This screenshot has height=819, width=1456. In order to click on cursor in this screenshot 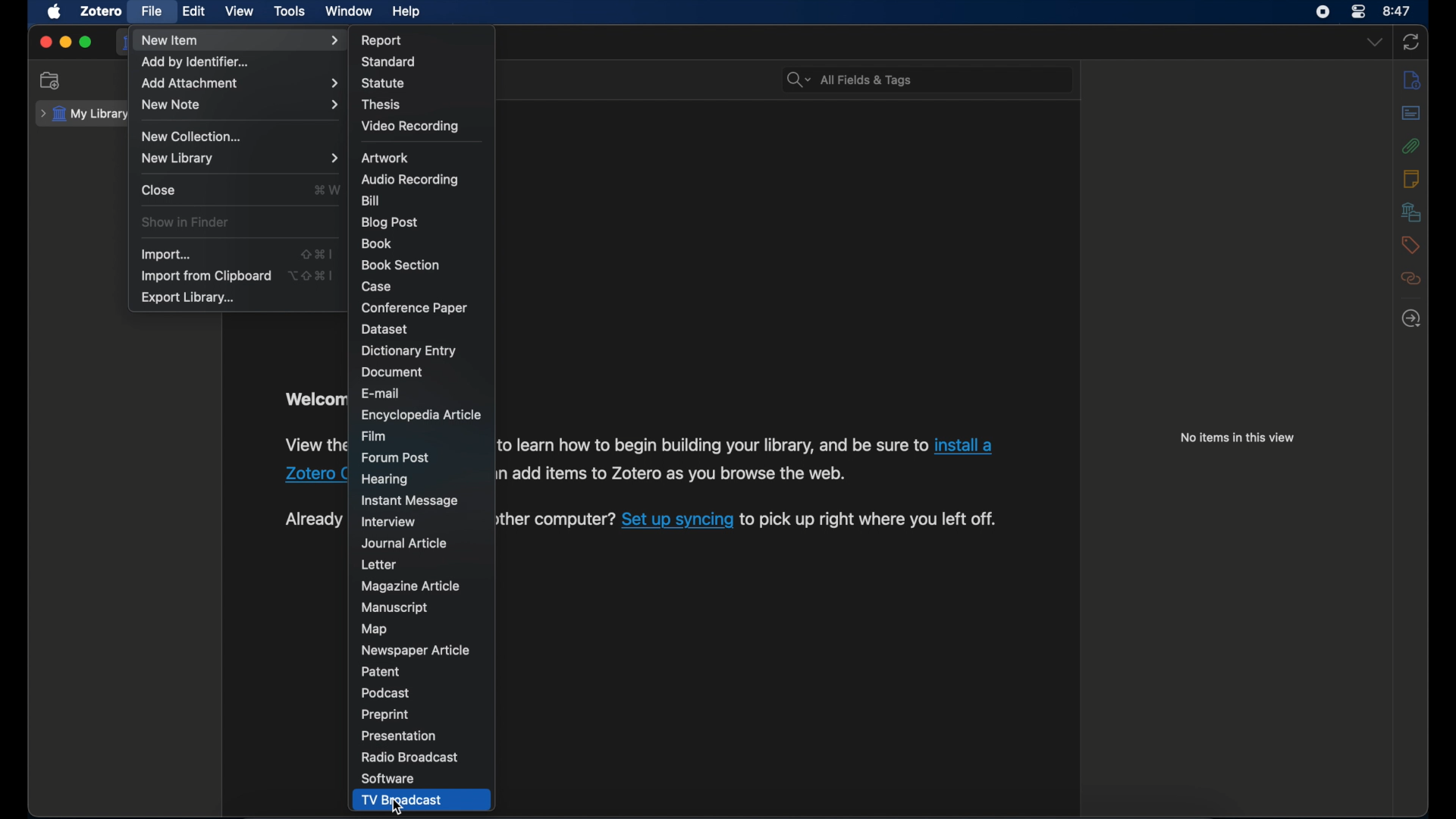, I will do `click(397, 806)`.